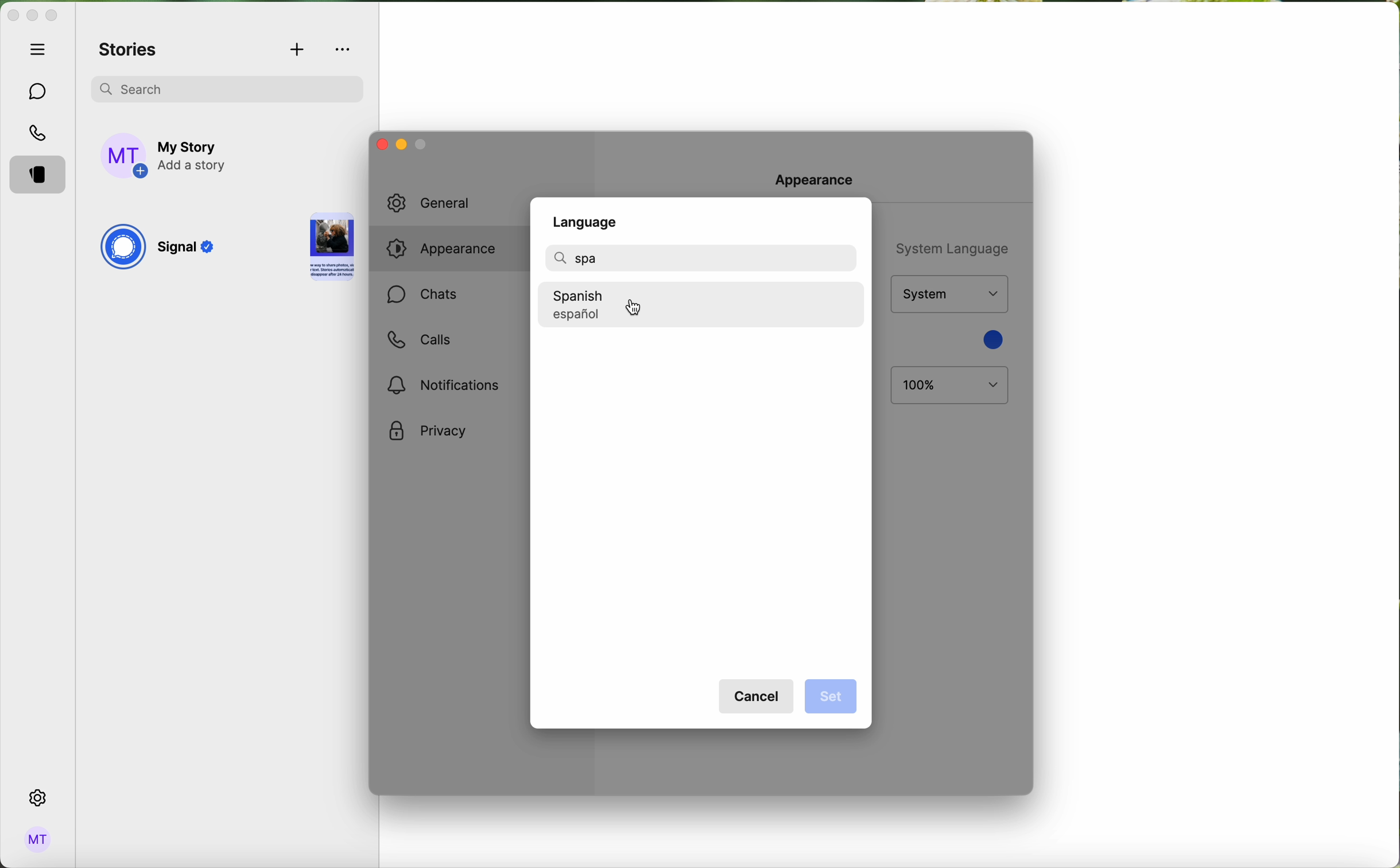 This screenshot has height=868, width=1400. I want to click on calls, so click(40, 134).